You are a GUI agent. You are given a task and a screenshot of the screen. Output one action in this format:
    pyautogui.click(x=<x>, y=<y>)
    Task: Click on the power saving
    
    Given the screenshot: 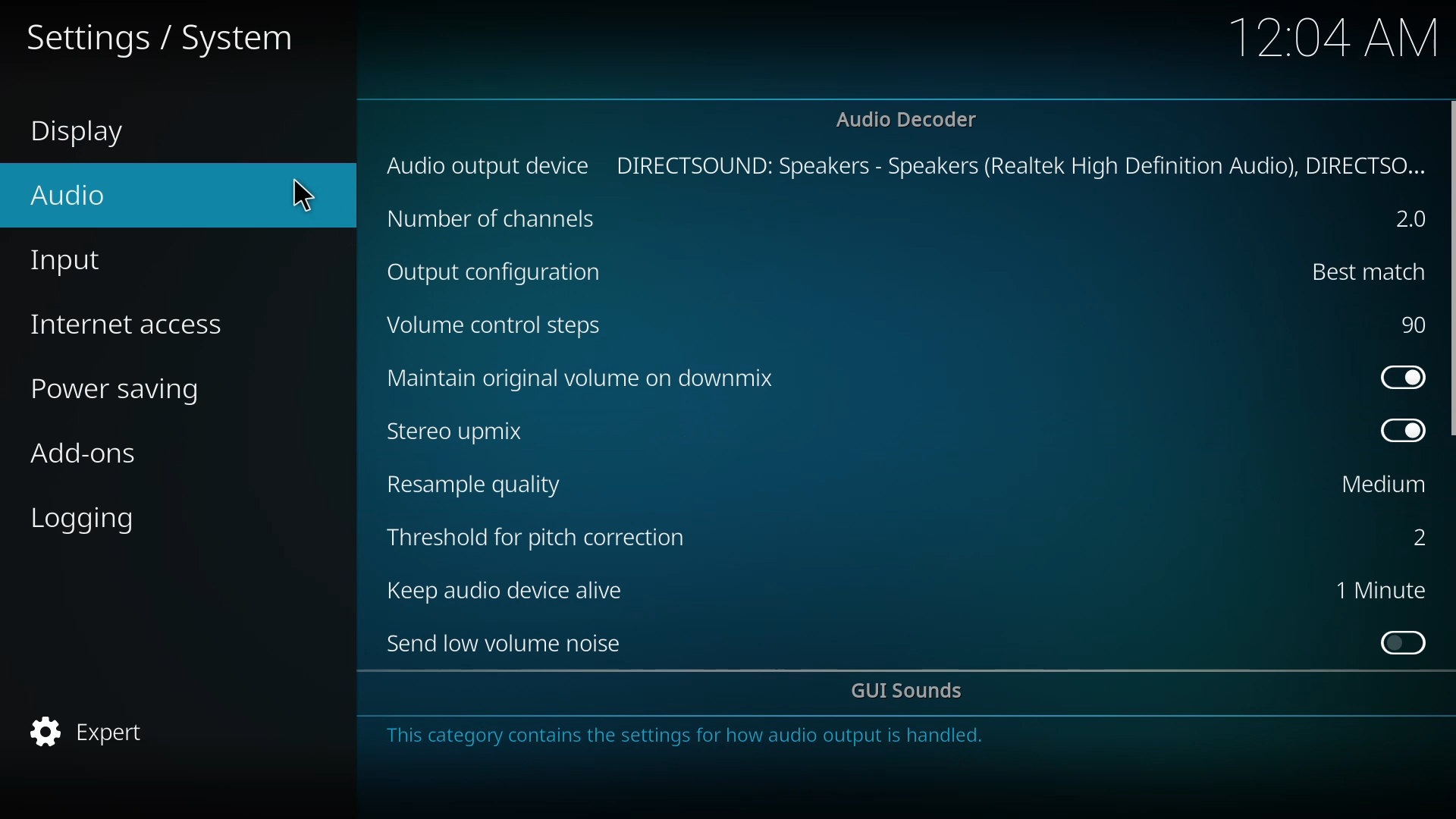 What is the action you would take?
    pyautogui.click(x=125, y=388)
    